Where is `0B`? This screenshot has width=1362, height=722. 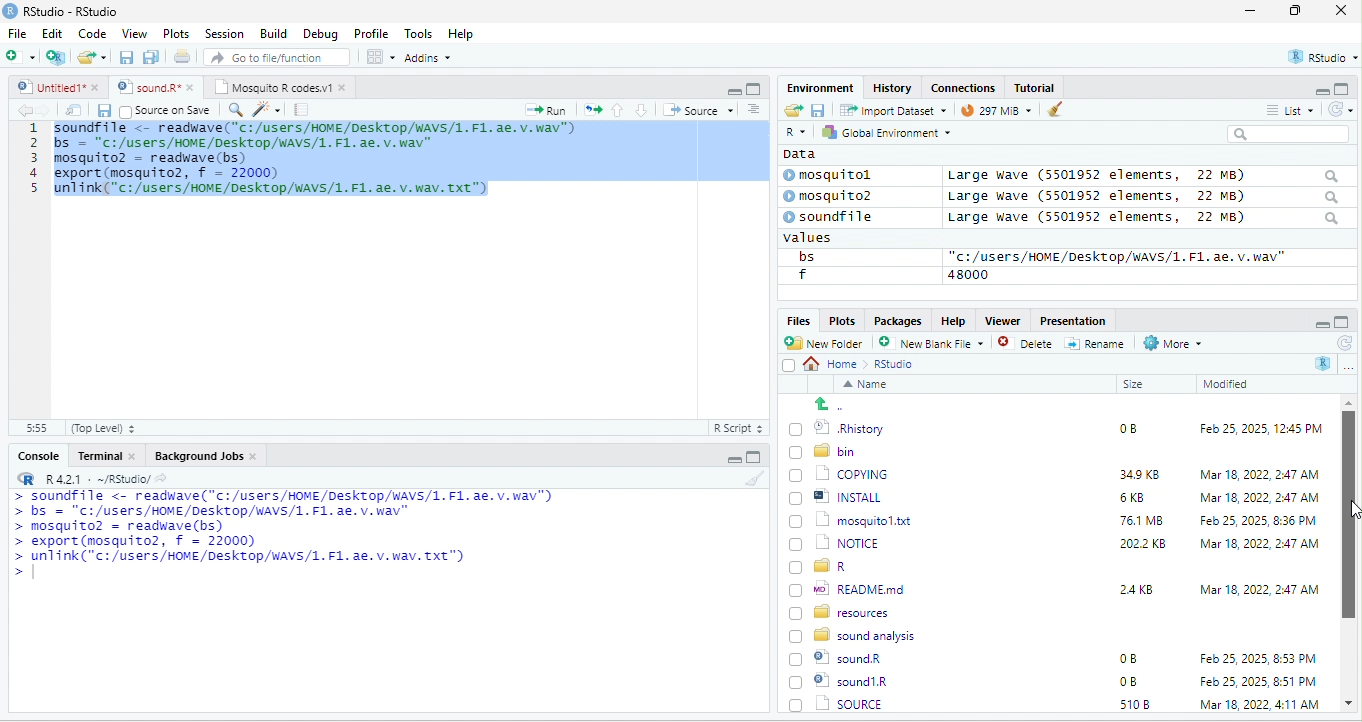 0B is located at coordinates (1121, 426).